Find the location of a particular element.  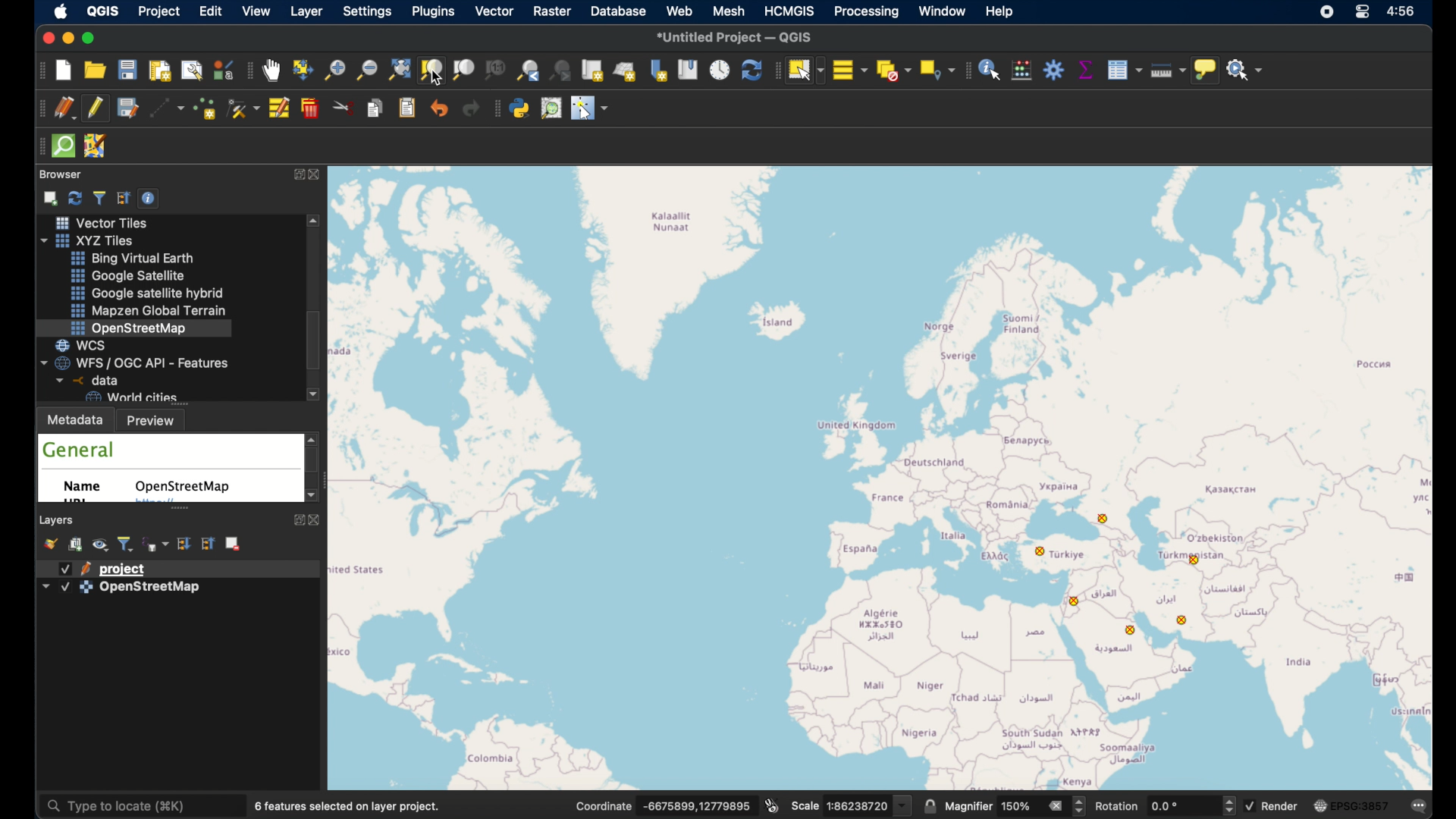

screen recorder icon is located at coordinates (1327, 13).